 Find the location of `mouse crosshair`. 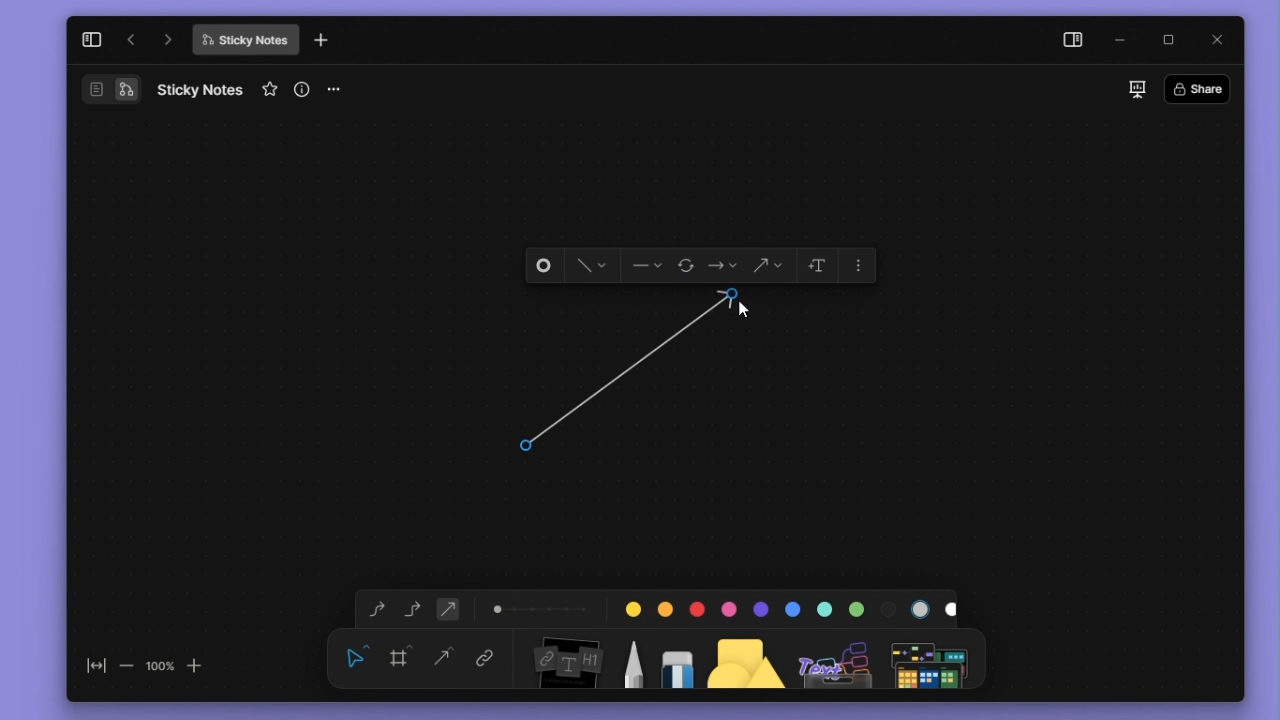

mouse crosshair is located at coordinates (530, 444).